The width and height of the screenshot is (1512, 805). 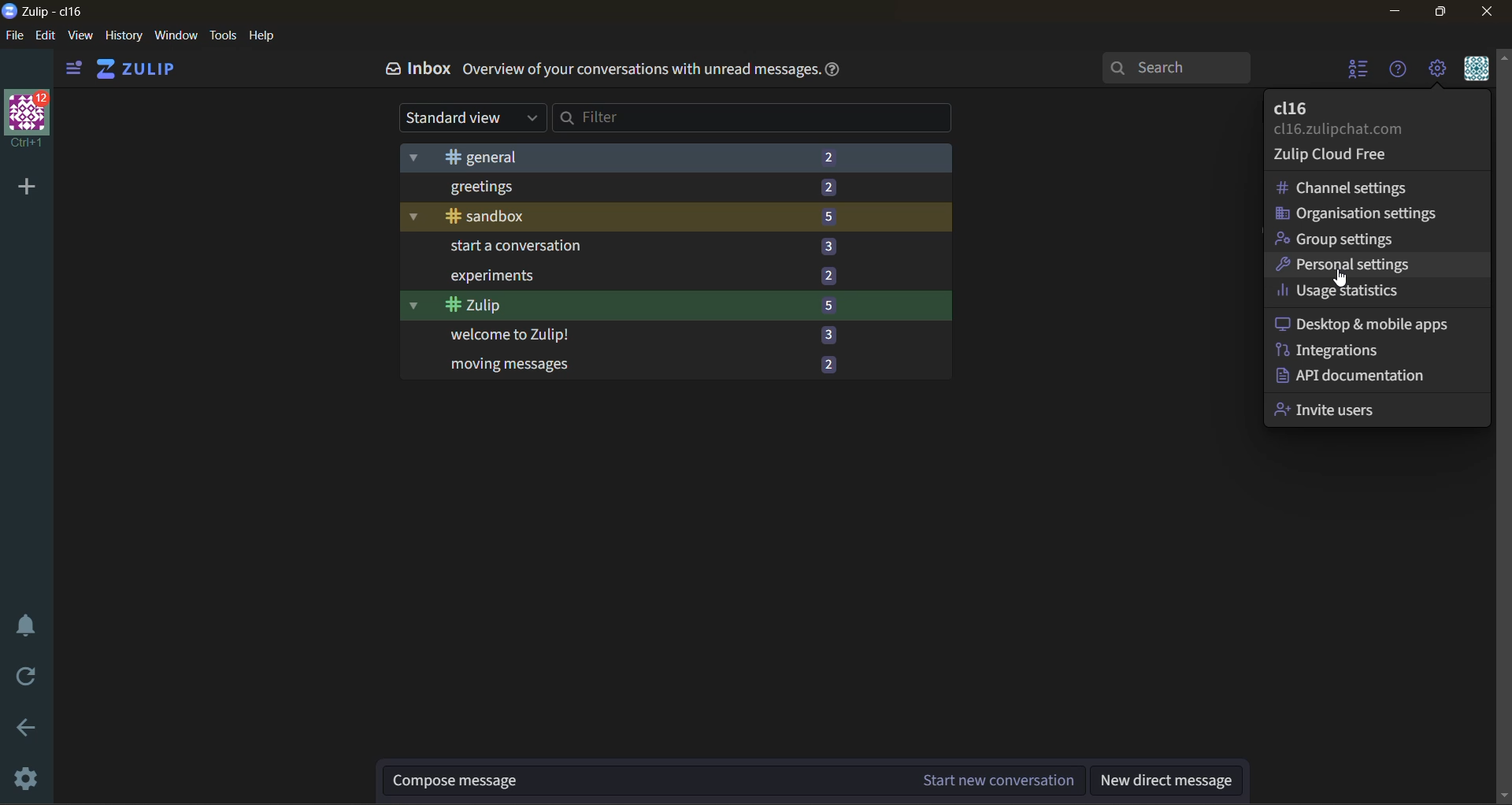 What do you see at coordinates (1351, 157) in the screenshot?
I see `zulip cloud` at bounding box center [1351, 157].